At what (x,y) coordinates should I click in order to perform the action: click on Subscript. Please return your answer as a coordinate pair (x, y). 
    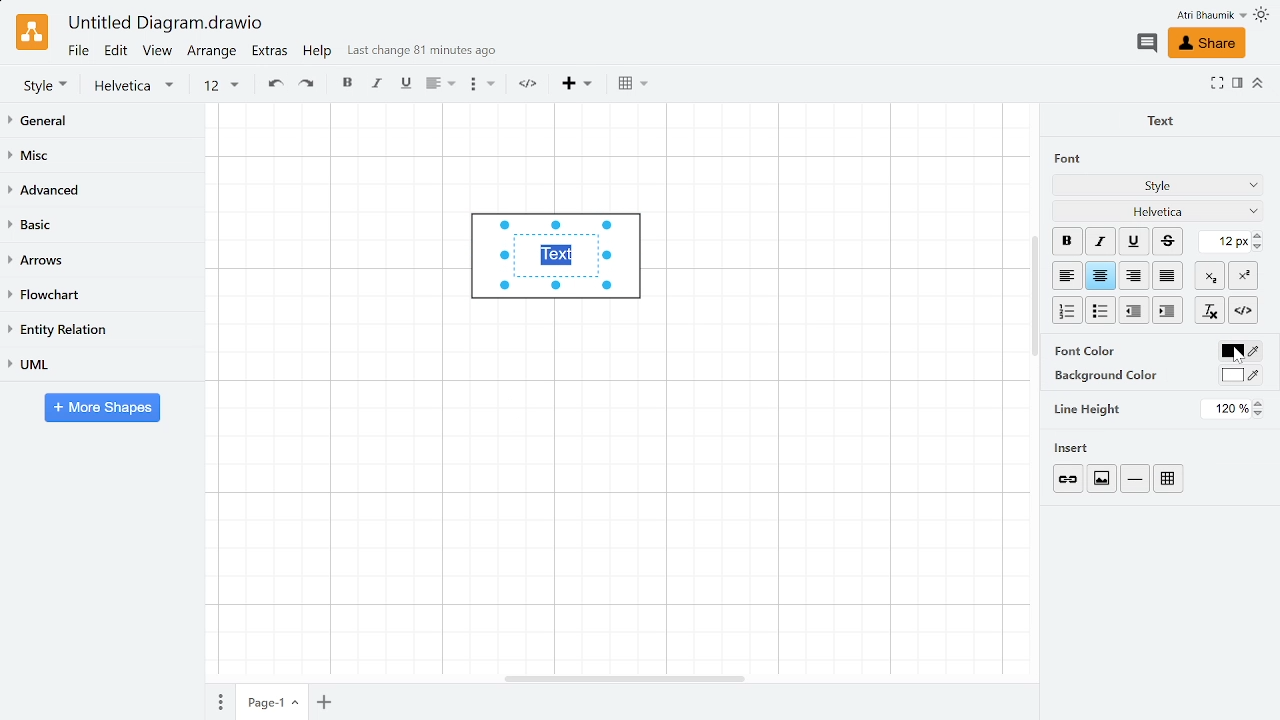
    Looking at the image, I should click on (1210, 275).